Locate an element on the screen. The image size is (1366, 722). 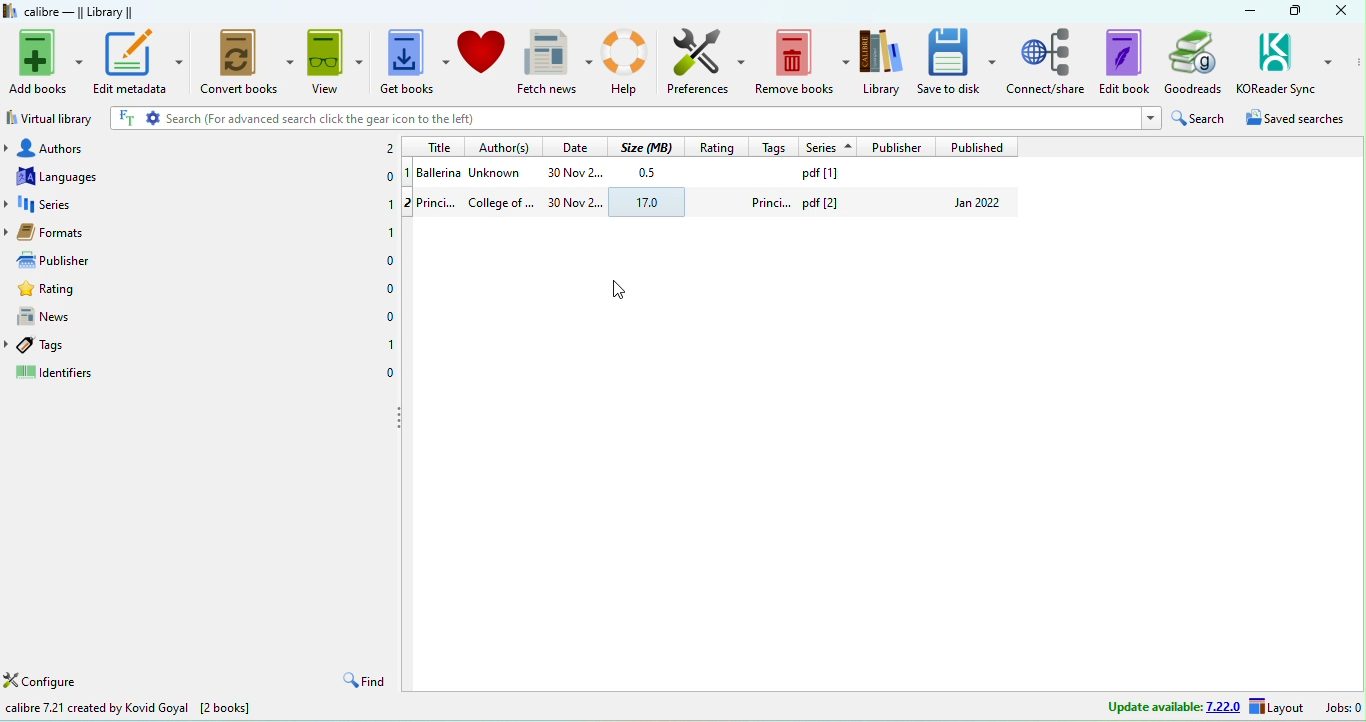
Get books is located at coordinates (415, 60).